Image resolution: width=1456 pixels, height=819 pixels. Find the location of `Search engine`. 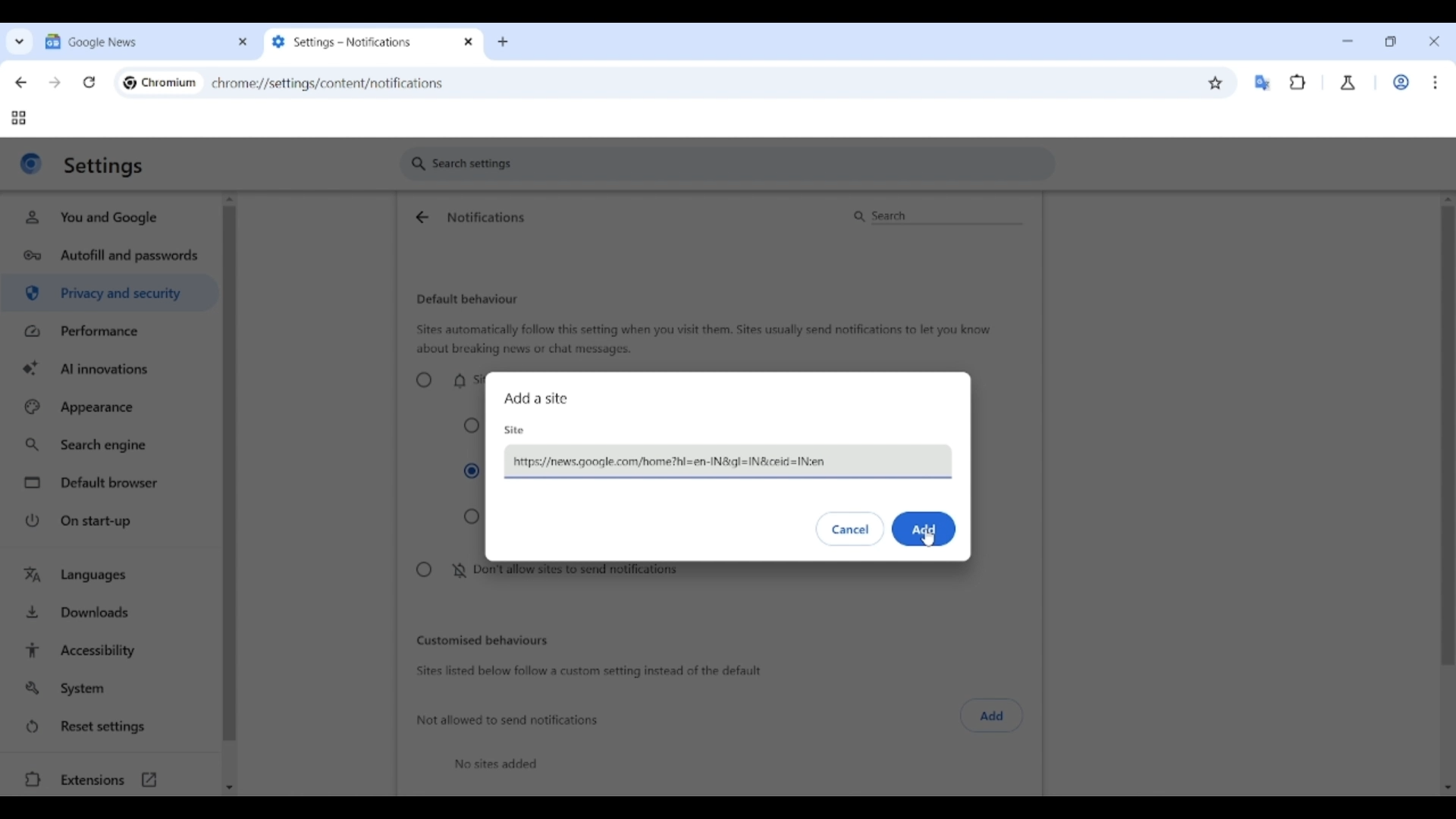

Search engine is located at coordinates (111, 445).